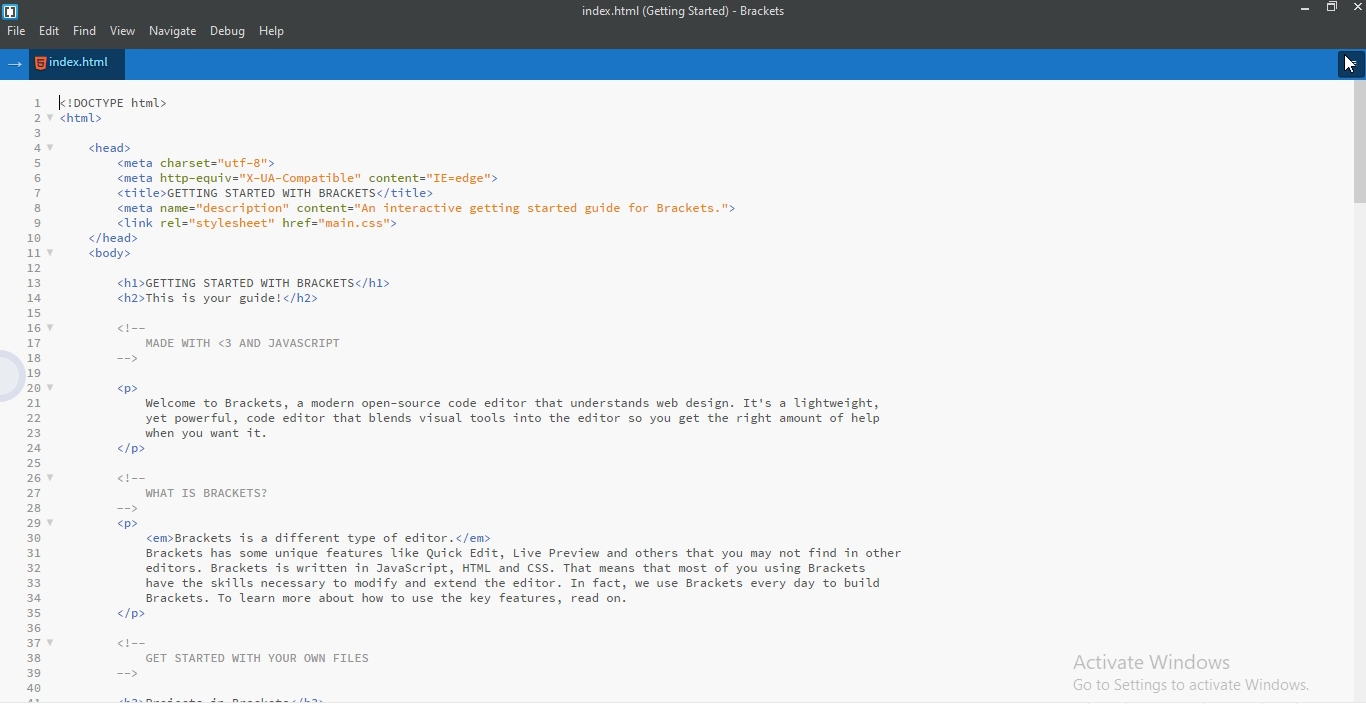  What do you see at coordinates (48, 31) in the screenshot?
I see `edit` at bounding box center [48, 31].